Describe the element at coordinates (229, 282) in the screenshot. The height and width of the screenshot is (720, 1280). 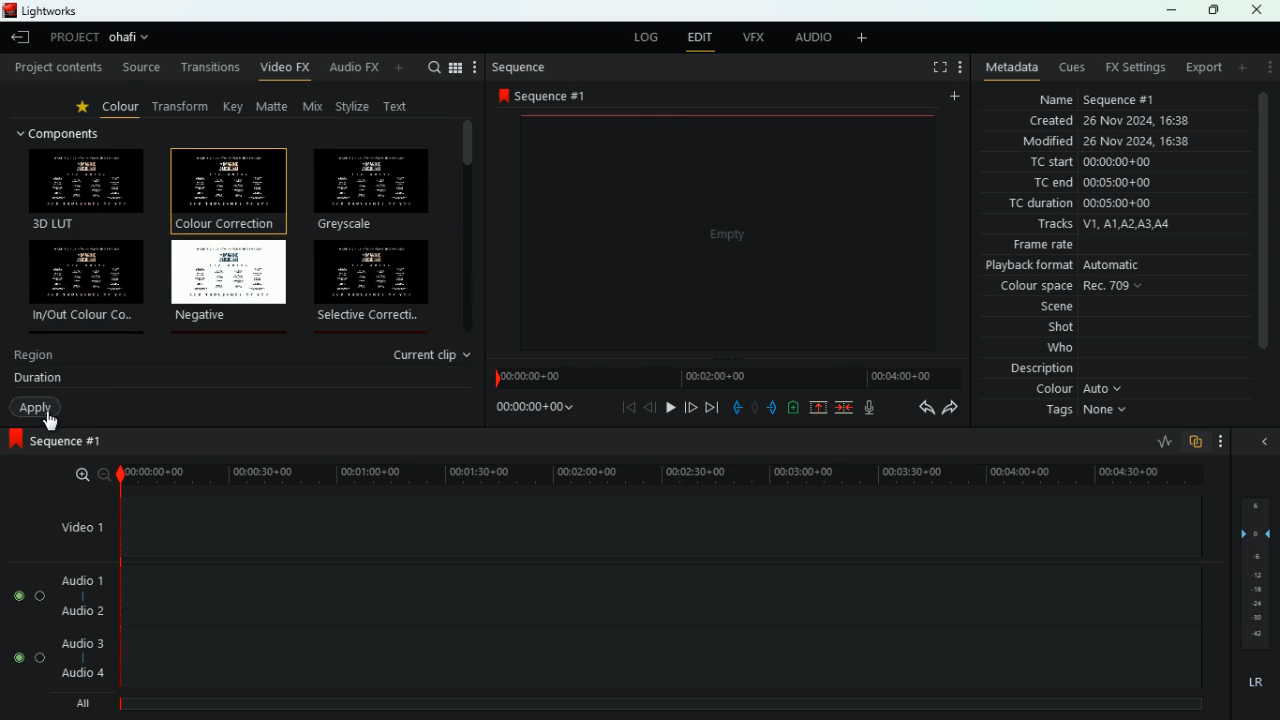
I see `negative` at that location.